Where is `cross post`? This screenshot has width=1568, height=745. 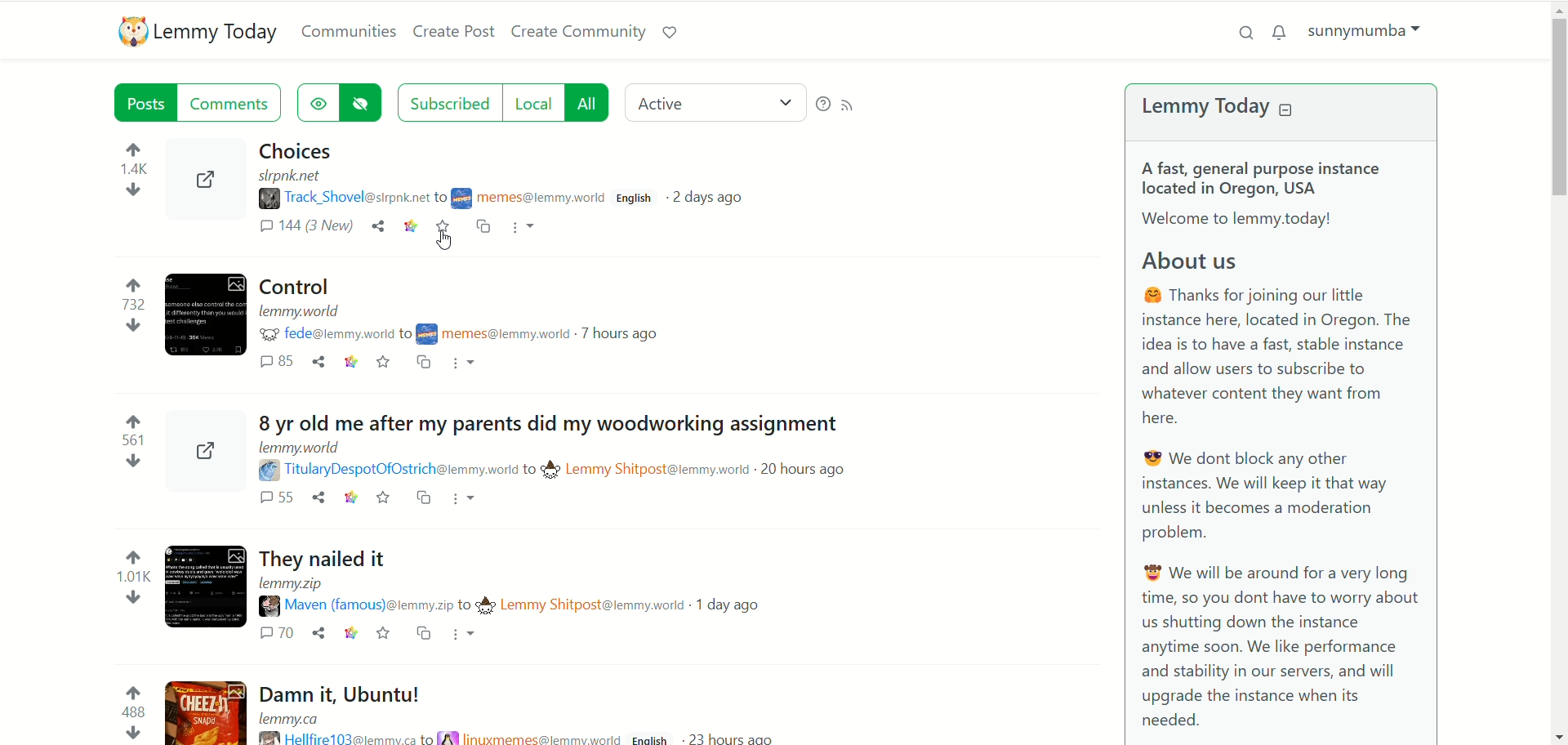
cross post is located at coordinates (418, 498).